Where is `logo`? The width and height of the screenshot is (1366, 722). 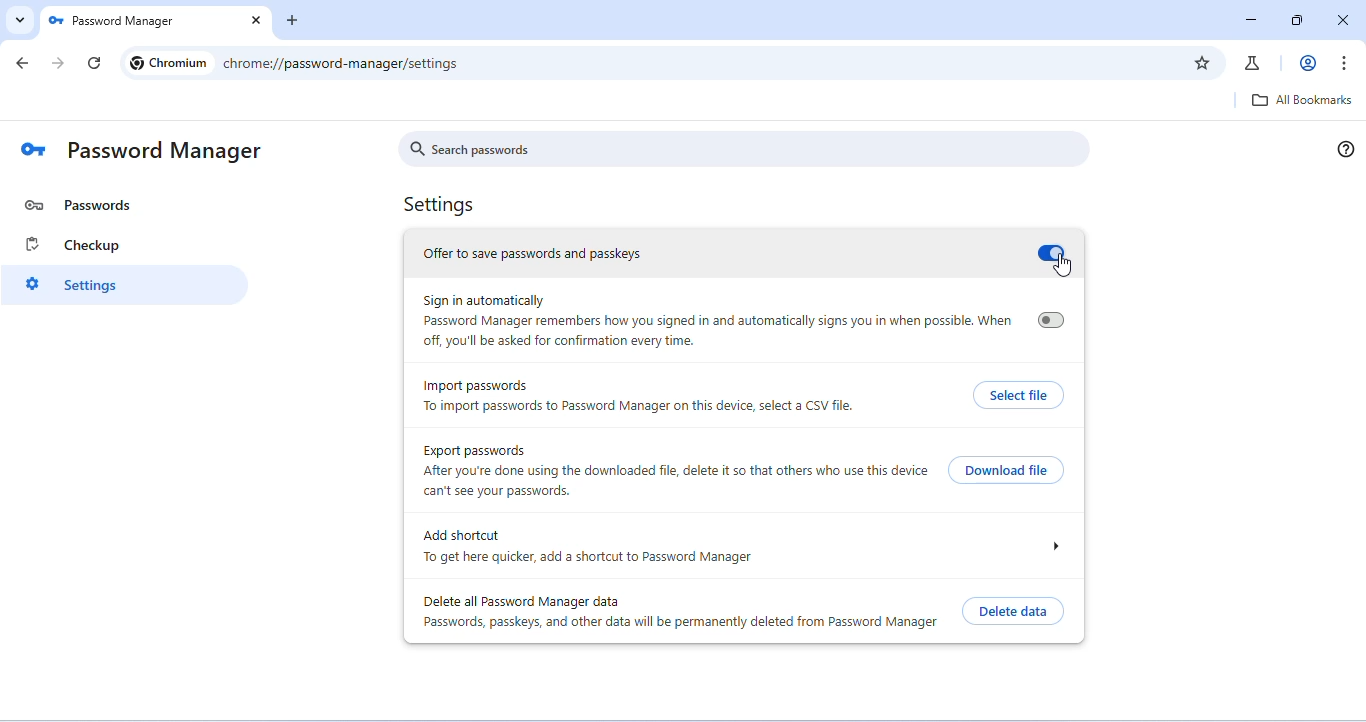 logo is located at coordinates (33, 152).